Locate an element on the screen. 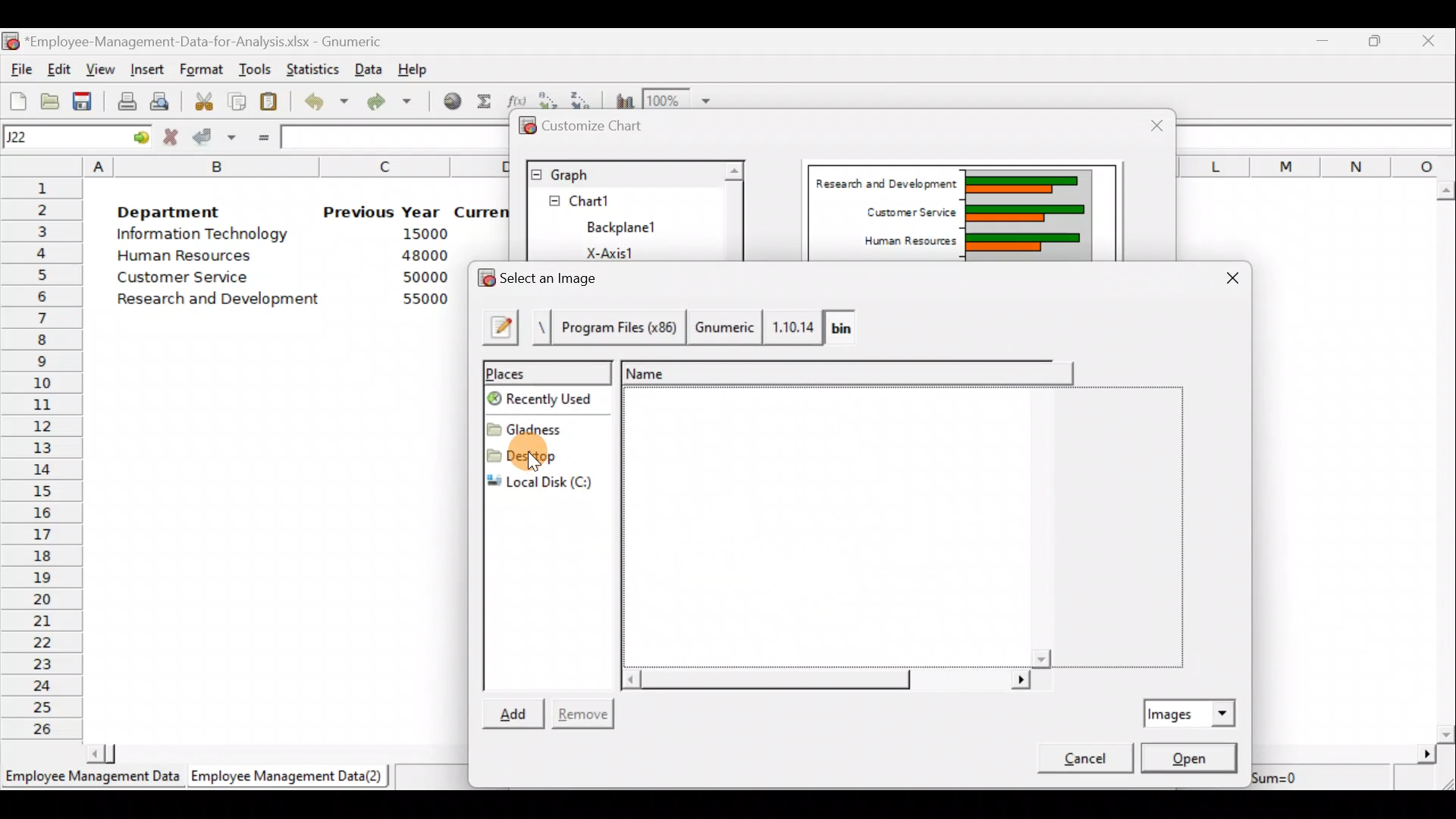 This screenshot has height=819, width=1456. Sum=0 is located at coordinates (1296, 777).